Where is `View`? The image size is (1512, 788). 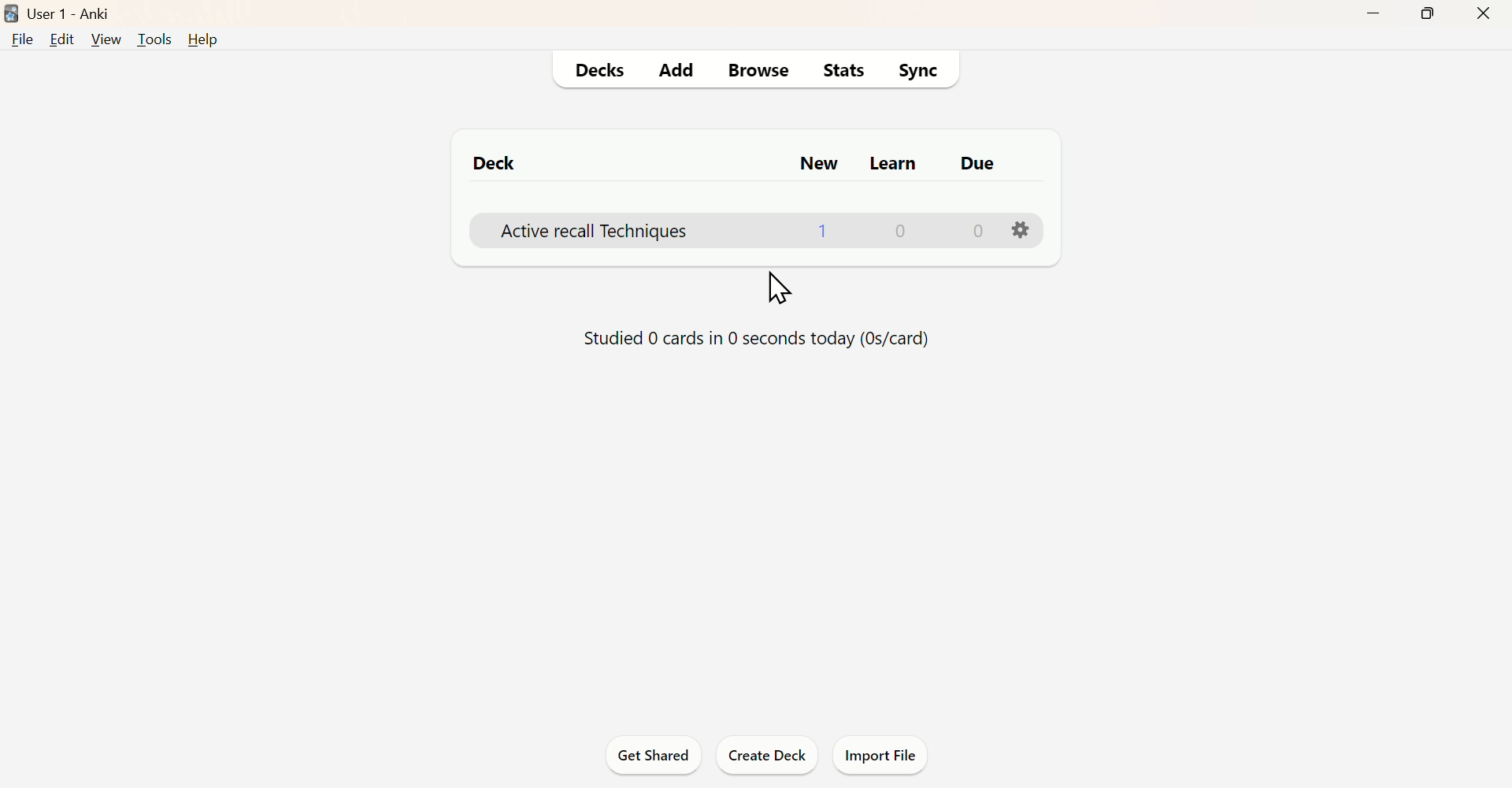
View is located at coordinates (102, 40).